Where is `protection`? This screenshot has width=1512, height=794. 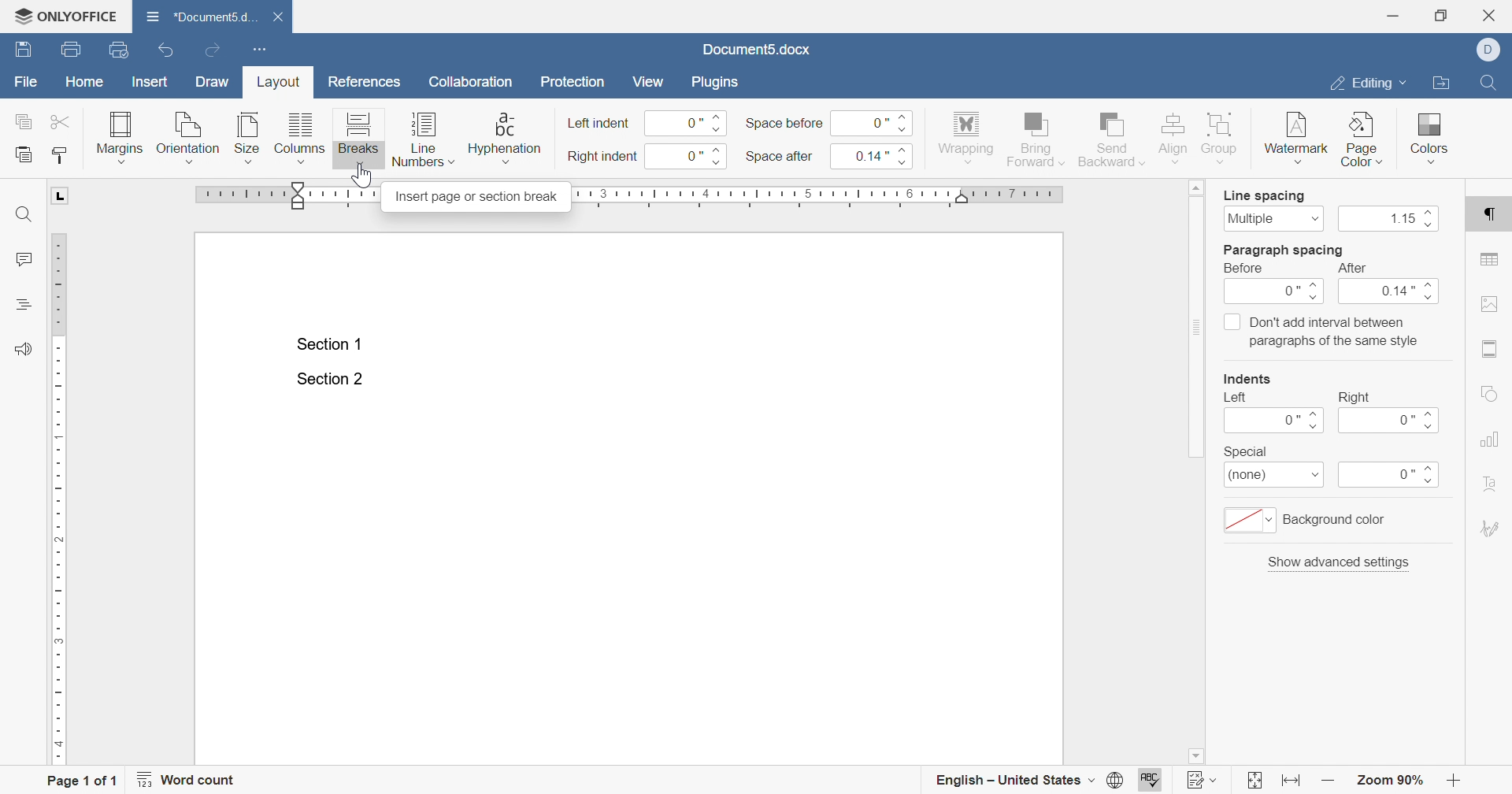
protection is located at coordinates (574, 82).